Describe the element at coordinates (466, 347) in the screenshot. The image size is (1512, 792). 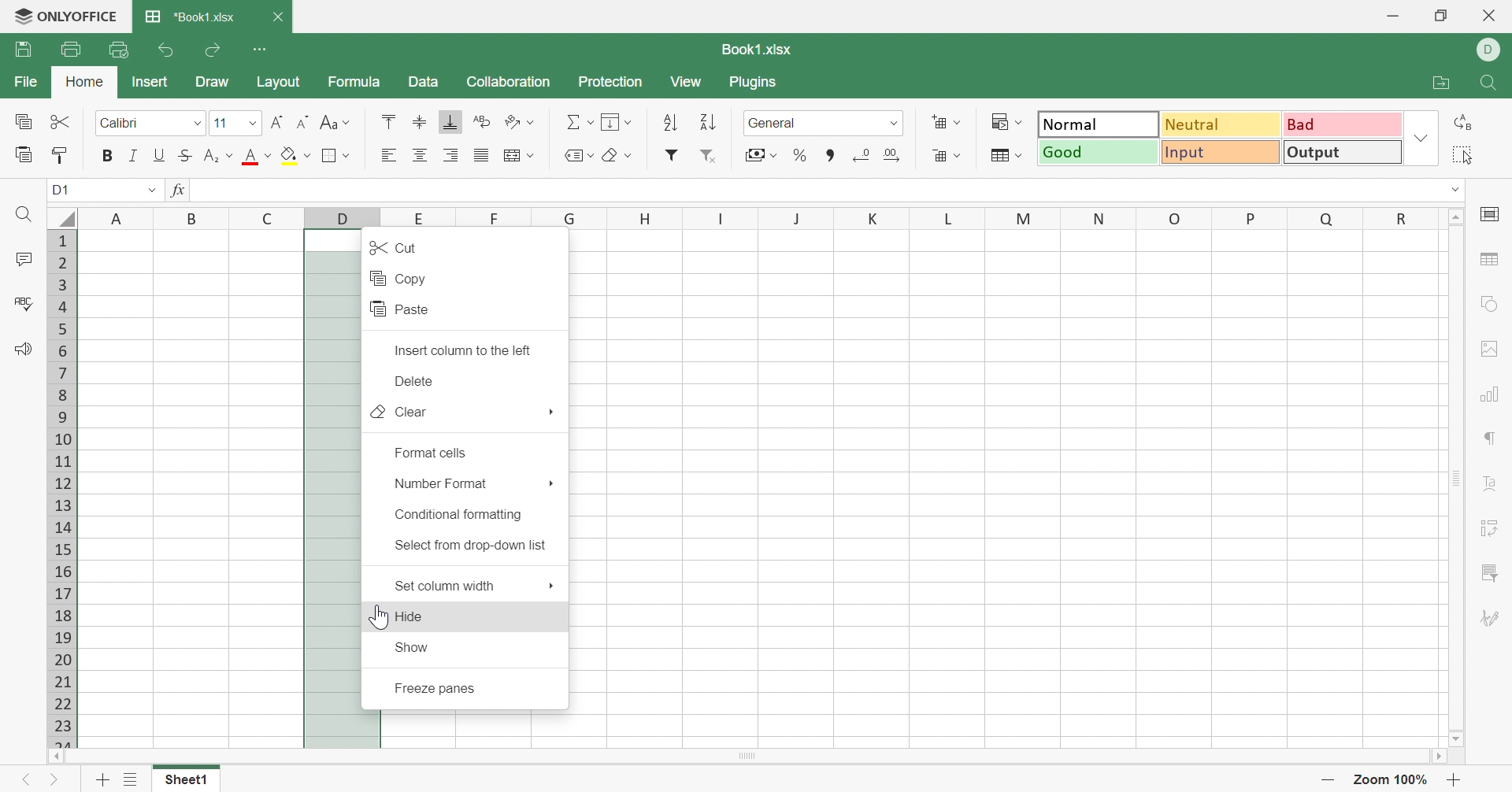
I see `Insert column to the left` at that location.